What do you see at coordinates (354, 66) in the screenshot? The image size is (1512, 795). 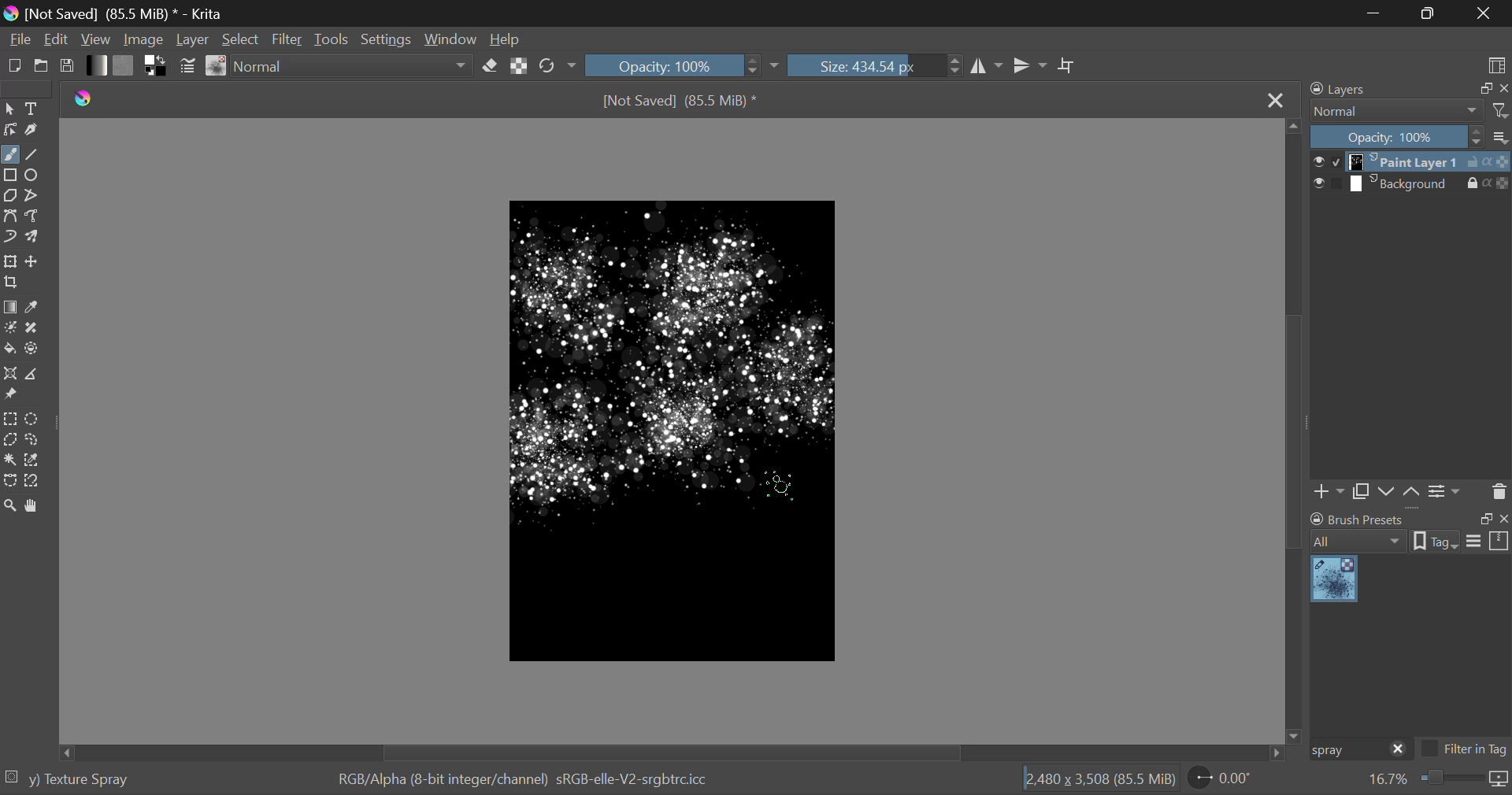 I see `Blending Mode` at bounding box center [354, 66].